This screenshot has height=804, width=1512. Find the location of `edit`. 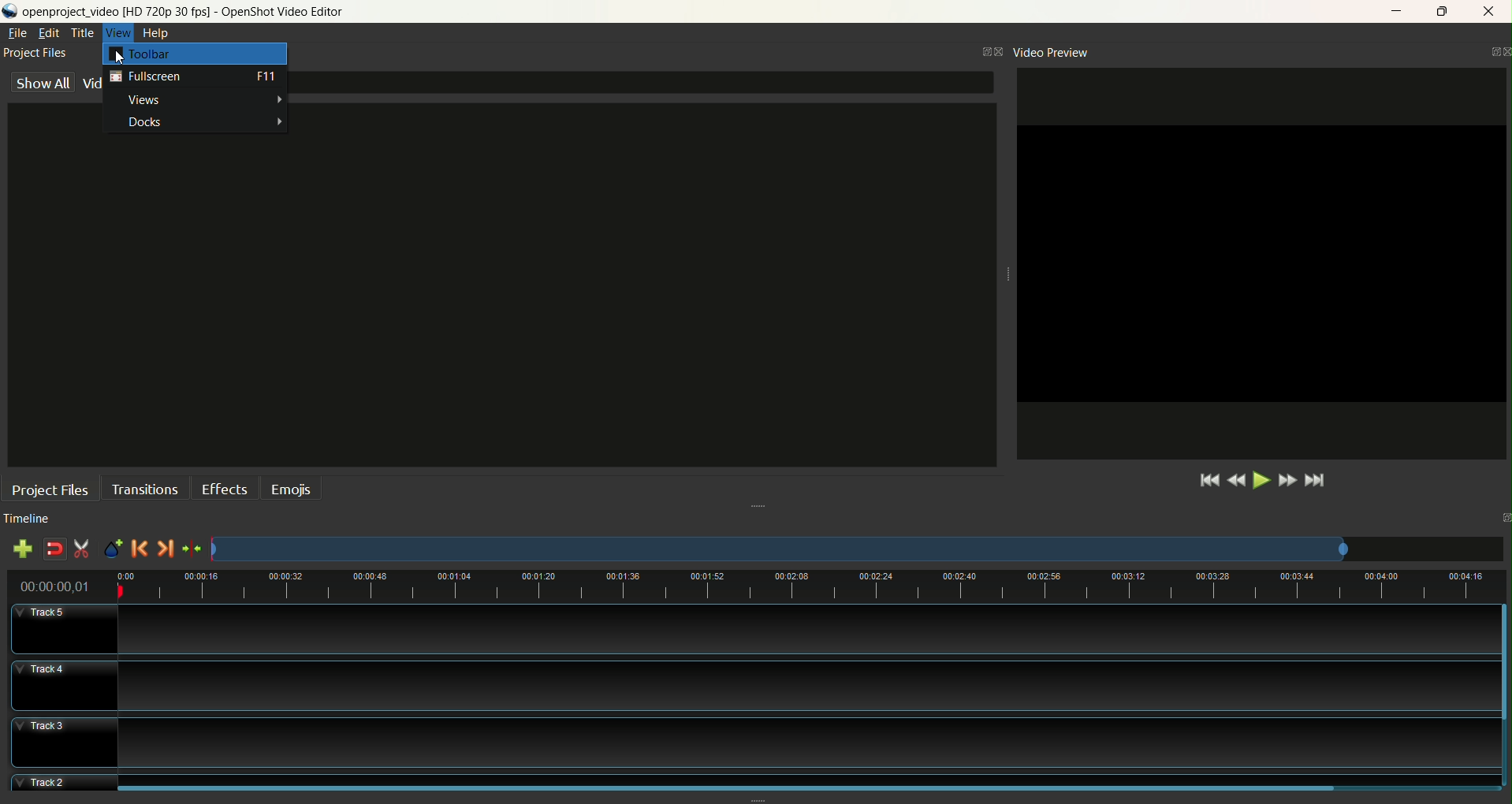

edit is located at coordinates (48, 33).